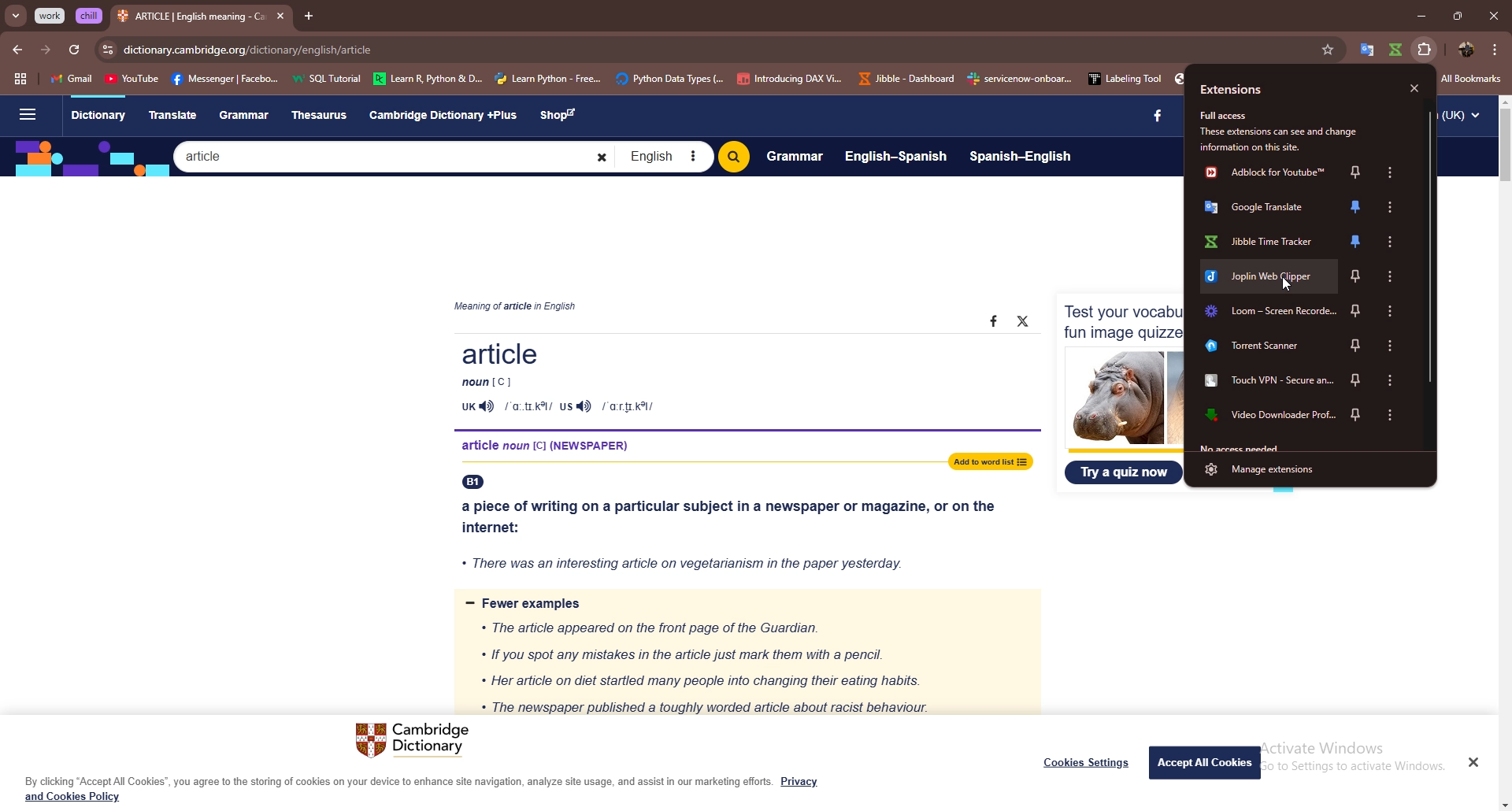 This screenshot has width=1512, height=811. Describe the element at coordinates (795, 155) in the screenshot. I see `Grammar` at that location.